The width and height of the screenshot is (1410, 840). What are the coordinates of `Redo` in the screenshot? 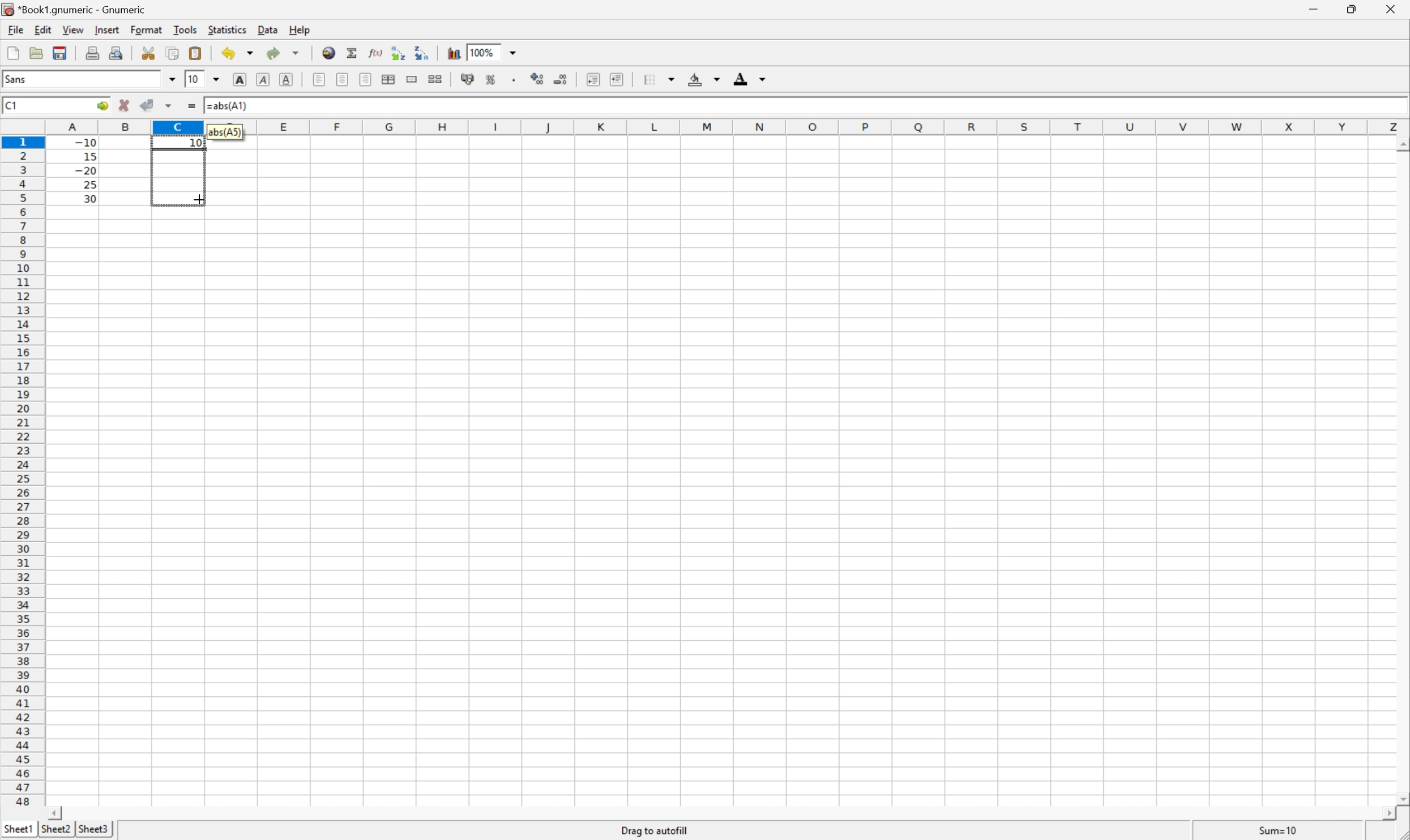 It's located at (285, 54).